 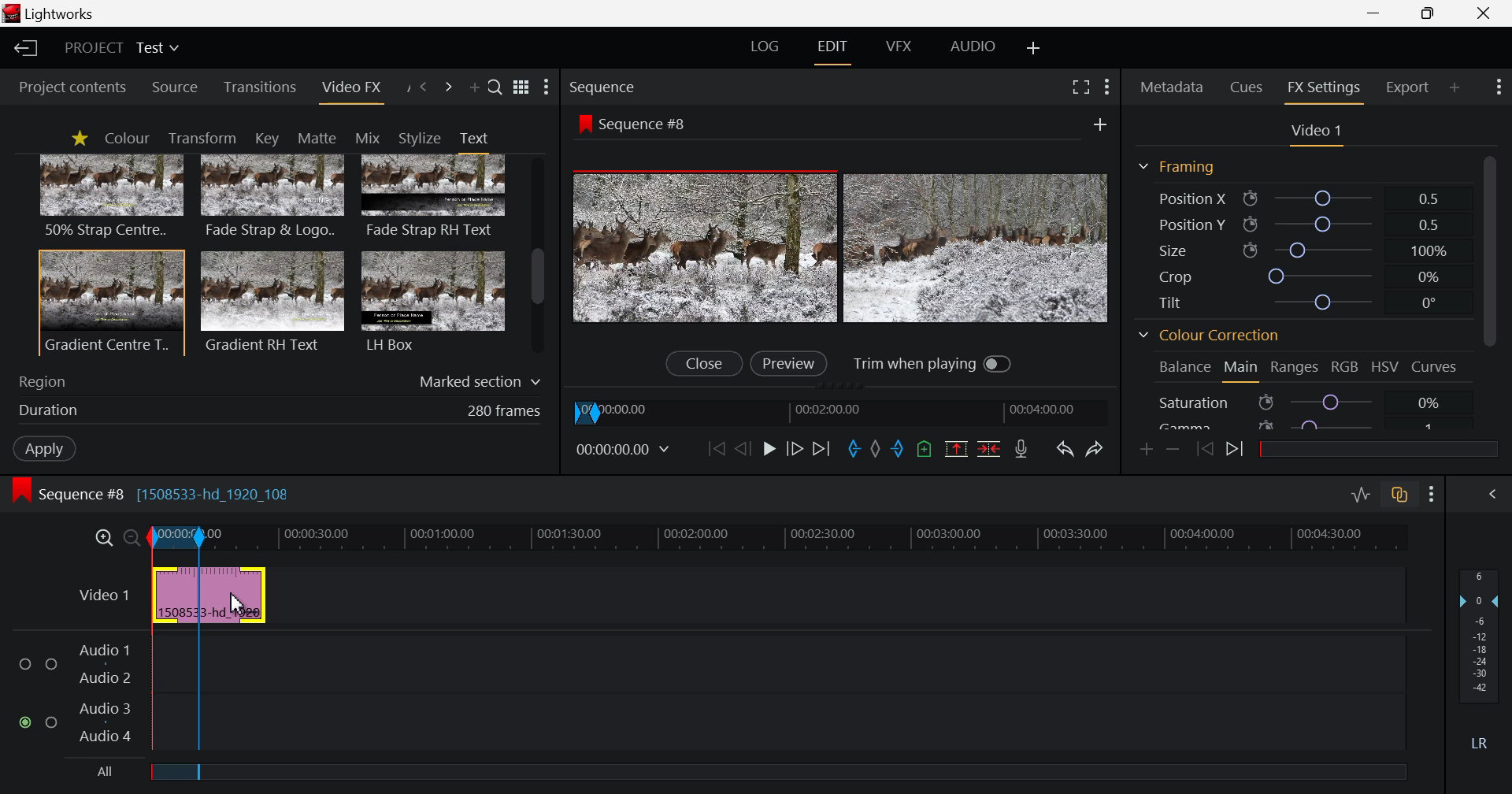 What do you see at coordinates (126, 139) in the screenshot?
I see `Colour` at bounding box center [126, 139].